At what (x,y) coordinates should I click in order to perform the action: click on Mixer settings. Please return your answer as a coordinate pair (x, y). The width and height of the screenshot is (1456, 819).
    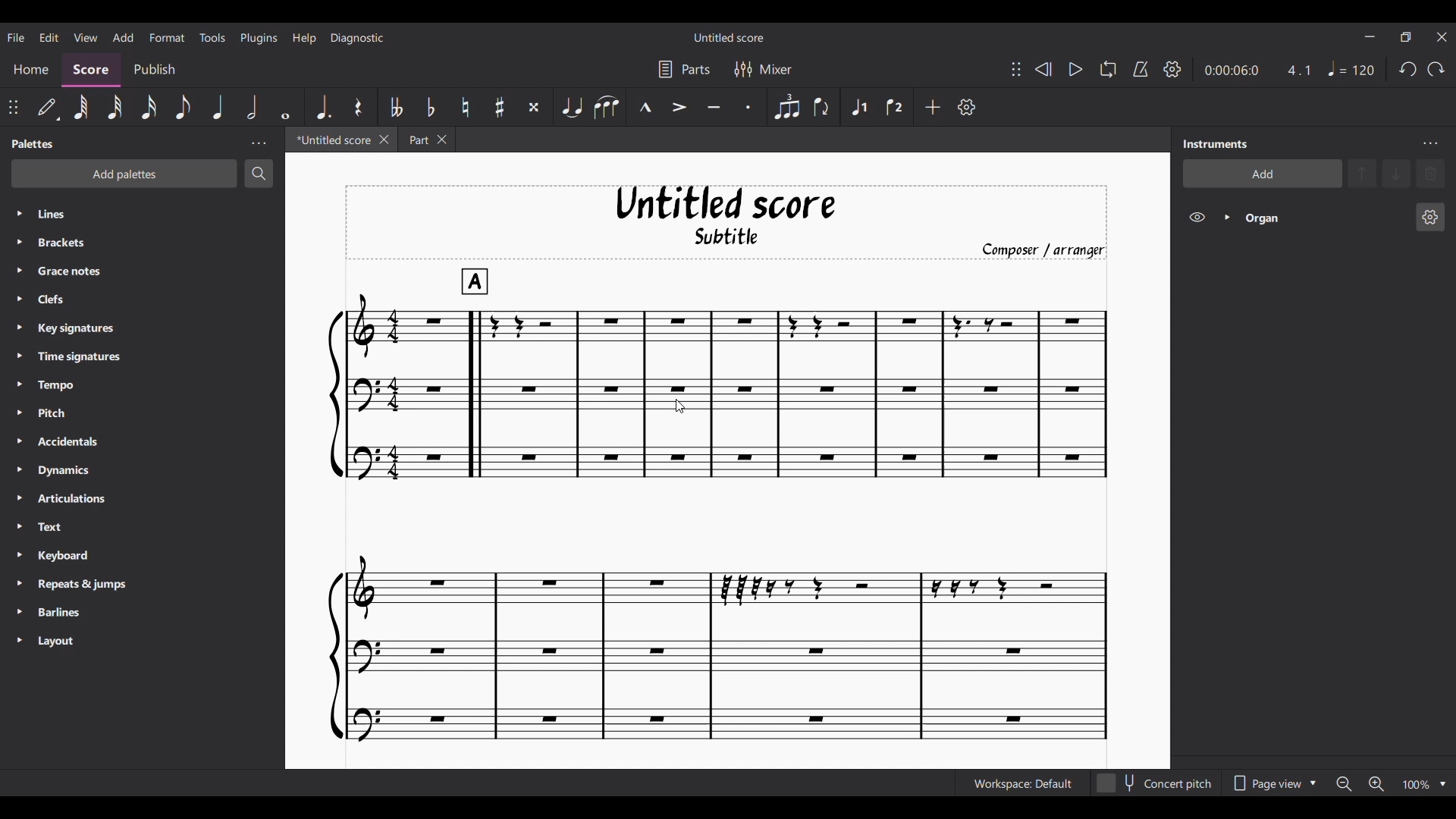
    Looking at the image, I should click on (764, 68).